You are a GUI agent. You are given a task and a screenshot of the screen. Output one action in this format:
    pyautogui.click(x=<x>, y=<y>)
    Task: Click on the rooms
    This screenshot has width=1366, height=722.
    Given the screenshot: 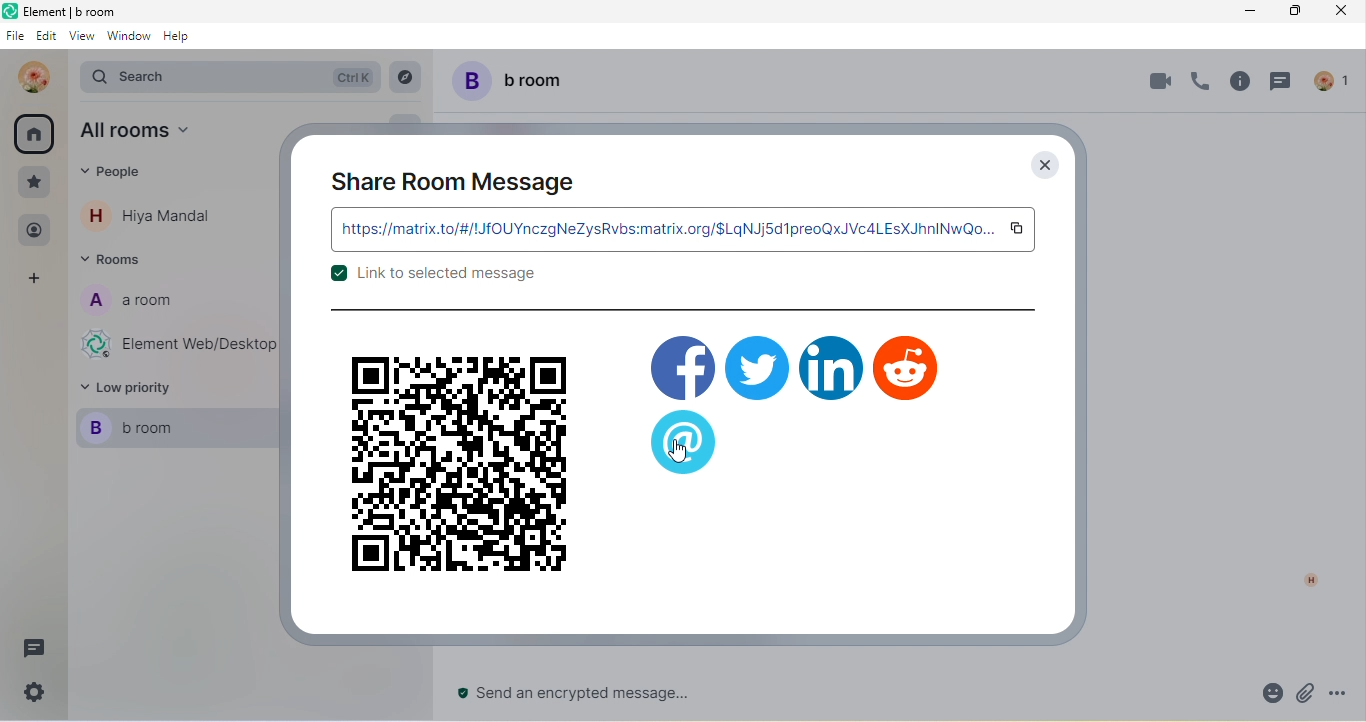 What is the action you would take?
    pyautogui.click(x=119, y=262)
    